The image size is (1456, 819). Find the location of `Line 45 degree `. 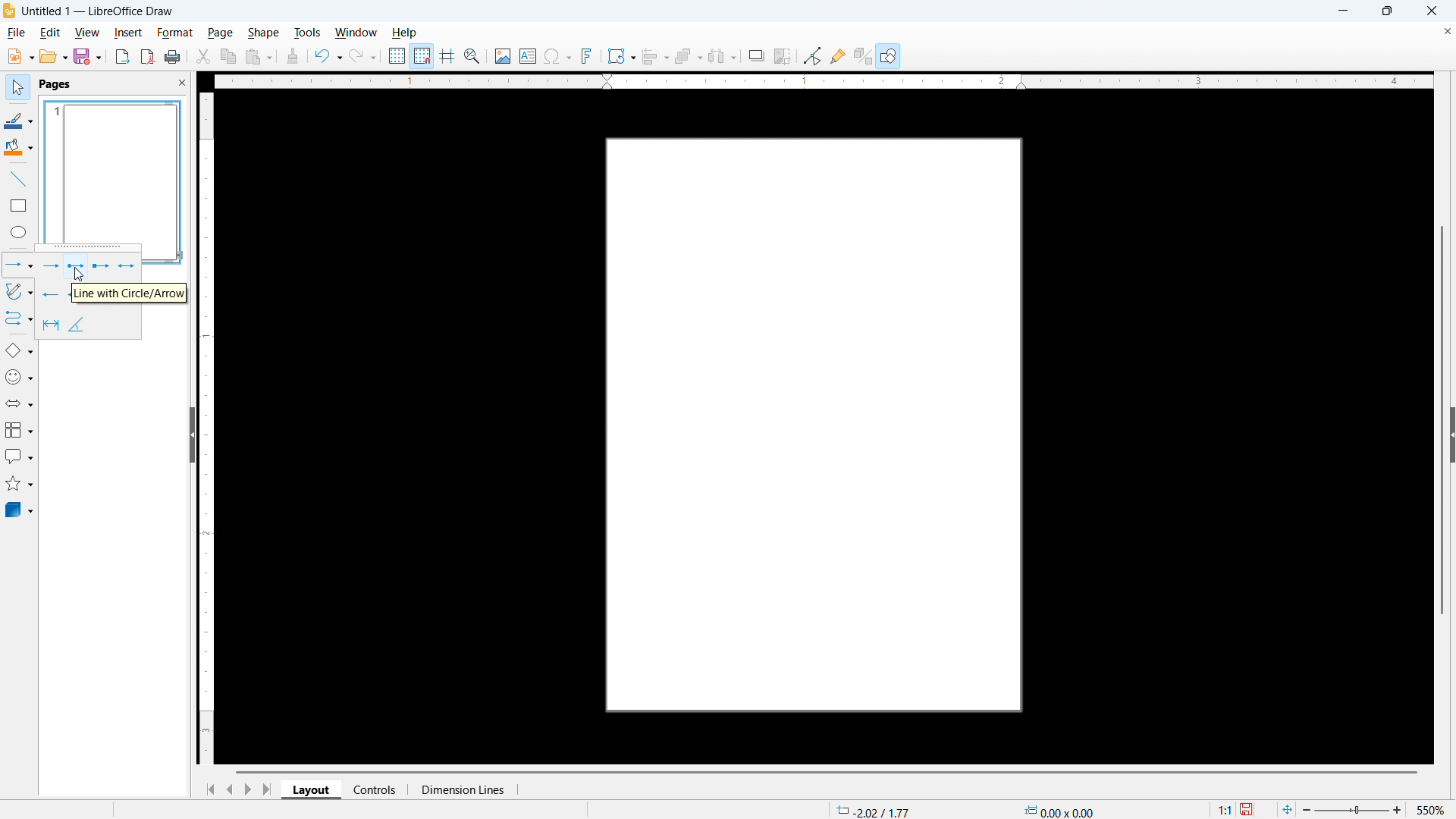

Line 45 degree  is located at coordinates (77, 324).